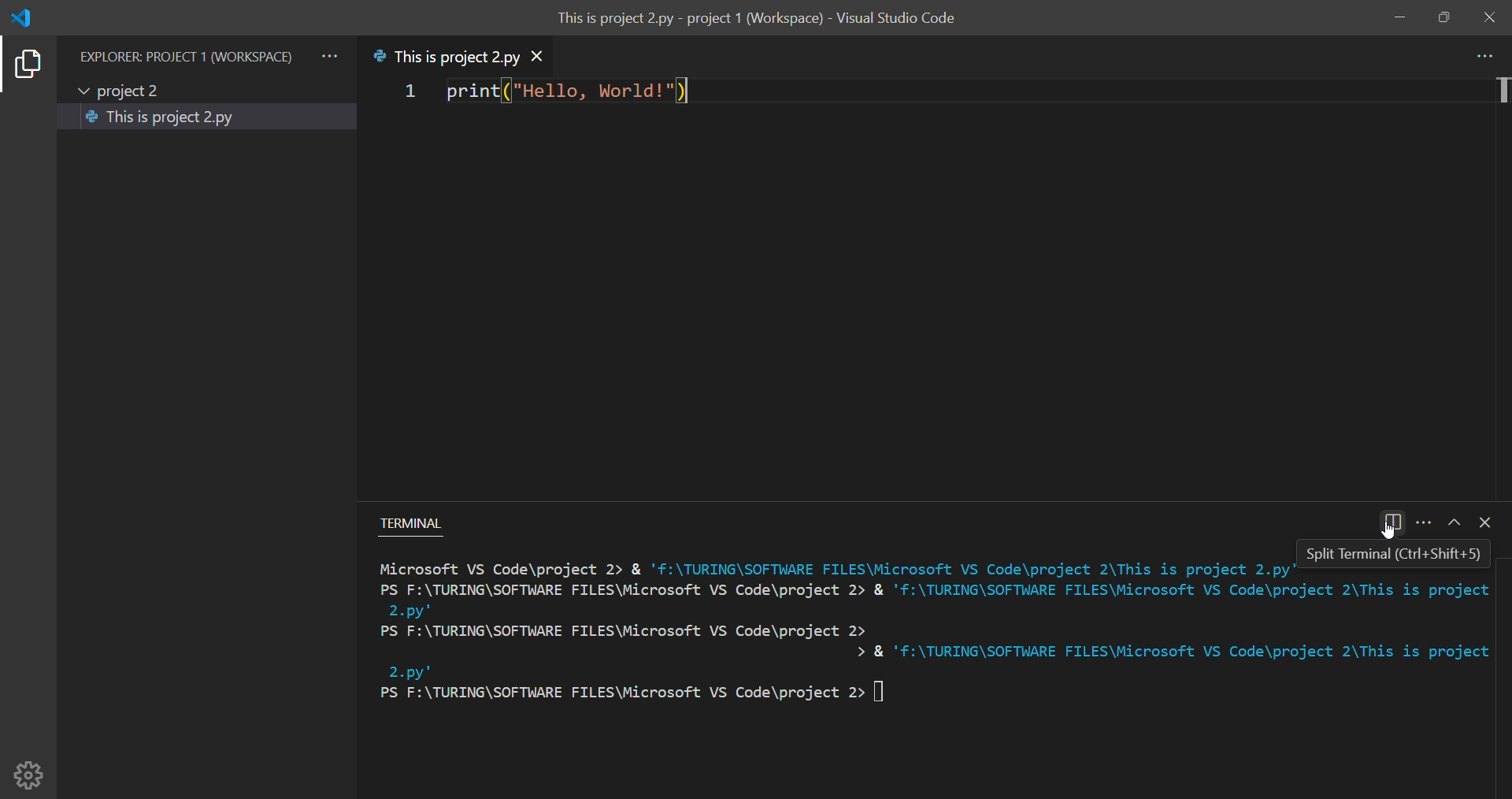 Image resolution: width=1512 pixels, height=799 pixels. I want to click on This is project 2.py, so click(443, 56).